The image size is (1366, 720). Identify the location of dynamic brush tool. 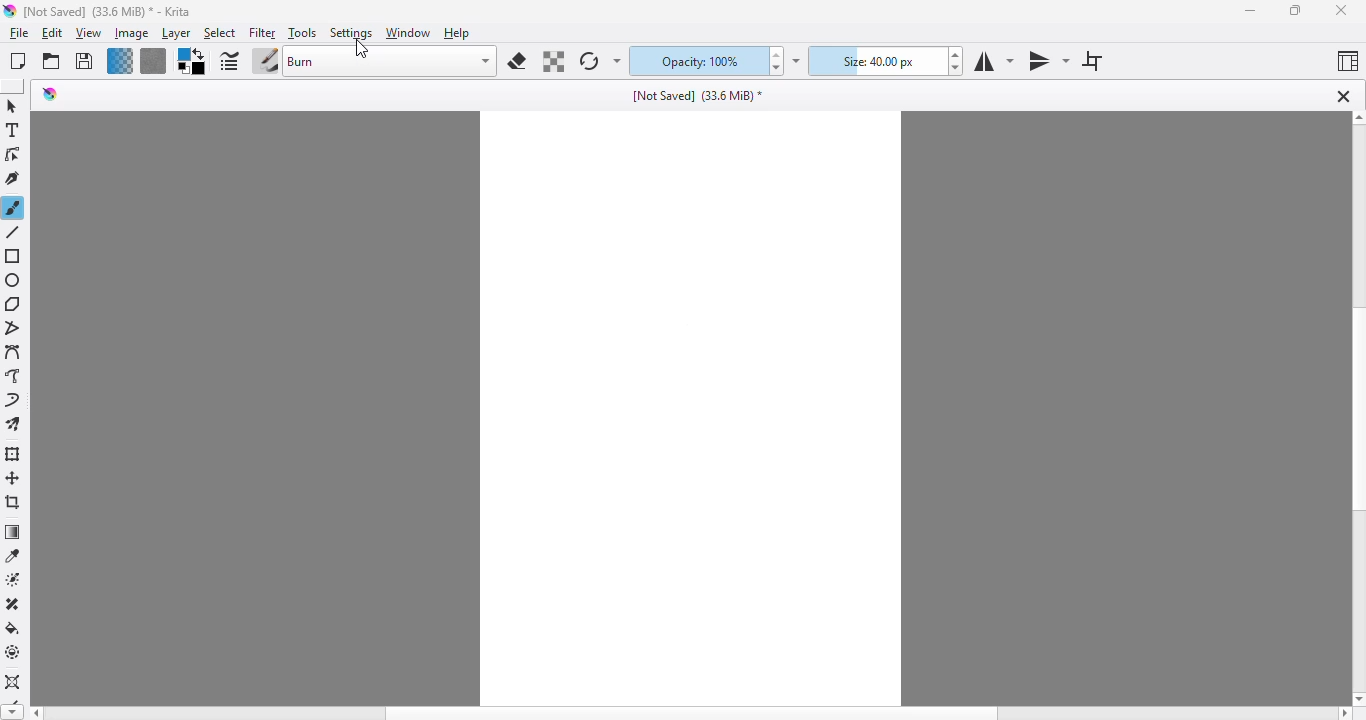
(12, 401).